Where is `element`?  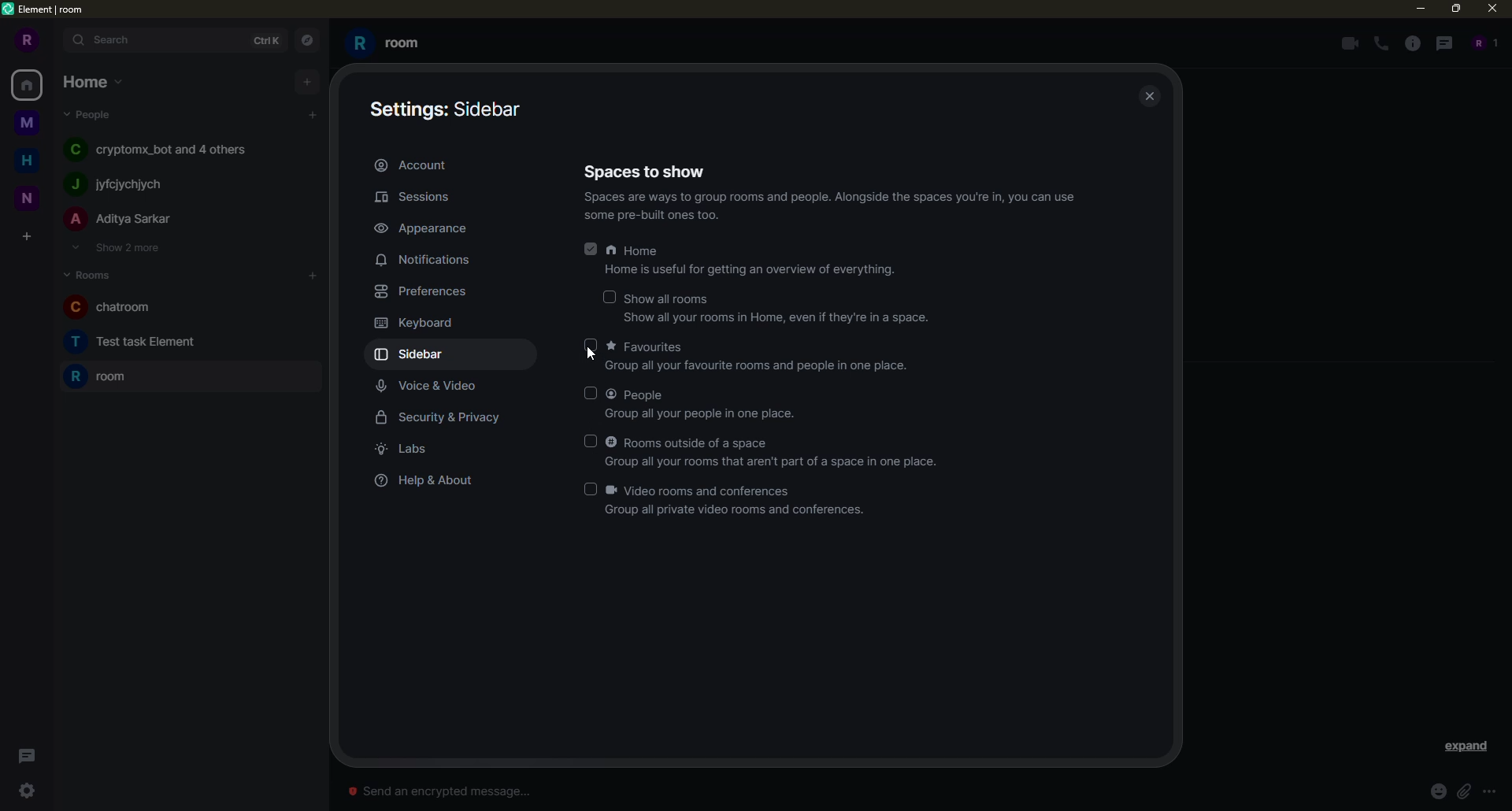 element is located at coordinates (45, 11).